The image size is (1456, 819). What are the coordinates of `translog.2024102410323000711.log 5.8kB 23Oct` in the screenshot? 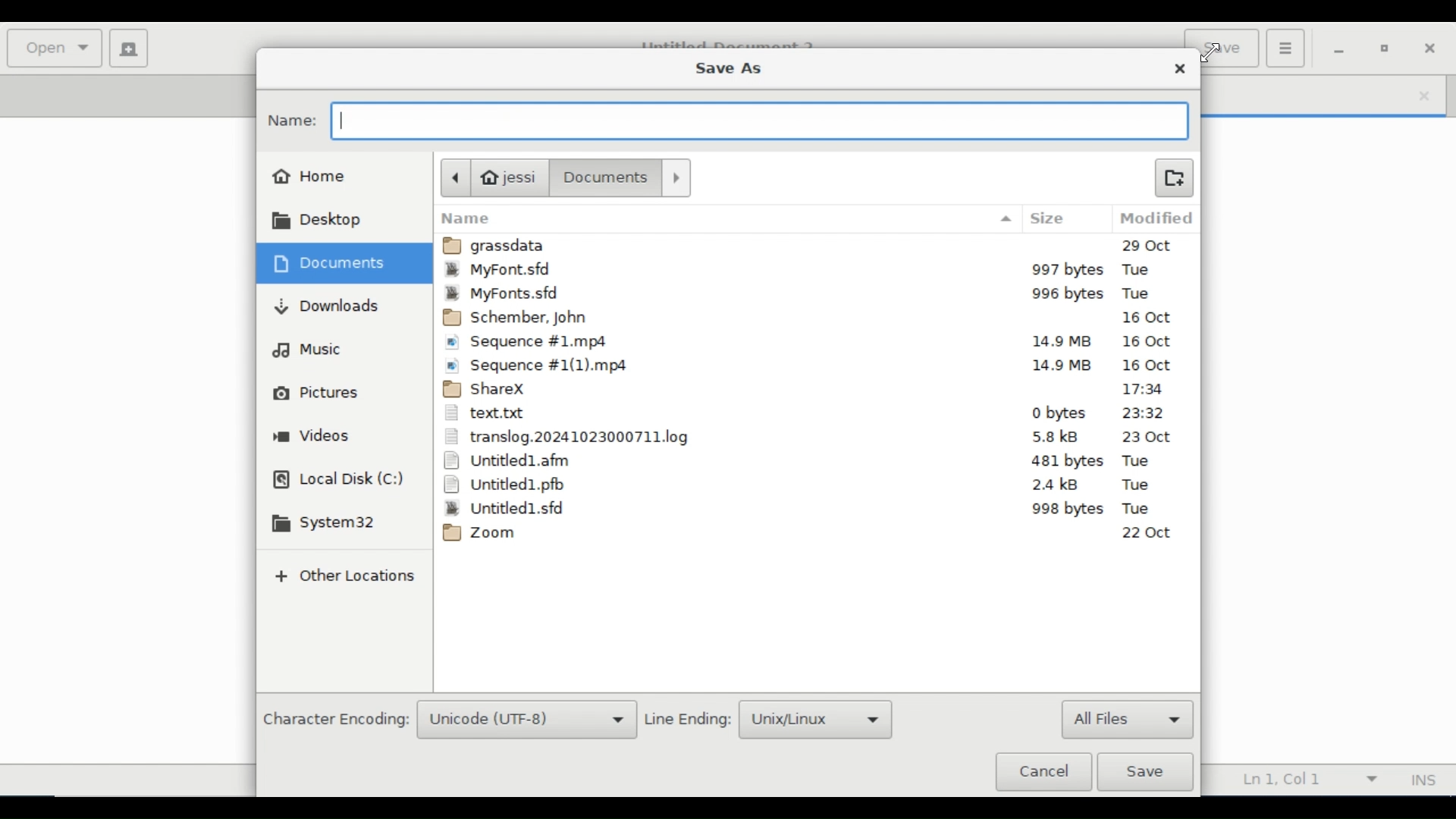 It's located at (811, 437).